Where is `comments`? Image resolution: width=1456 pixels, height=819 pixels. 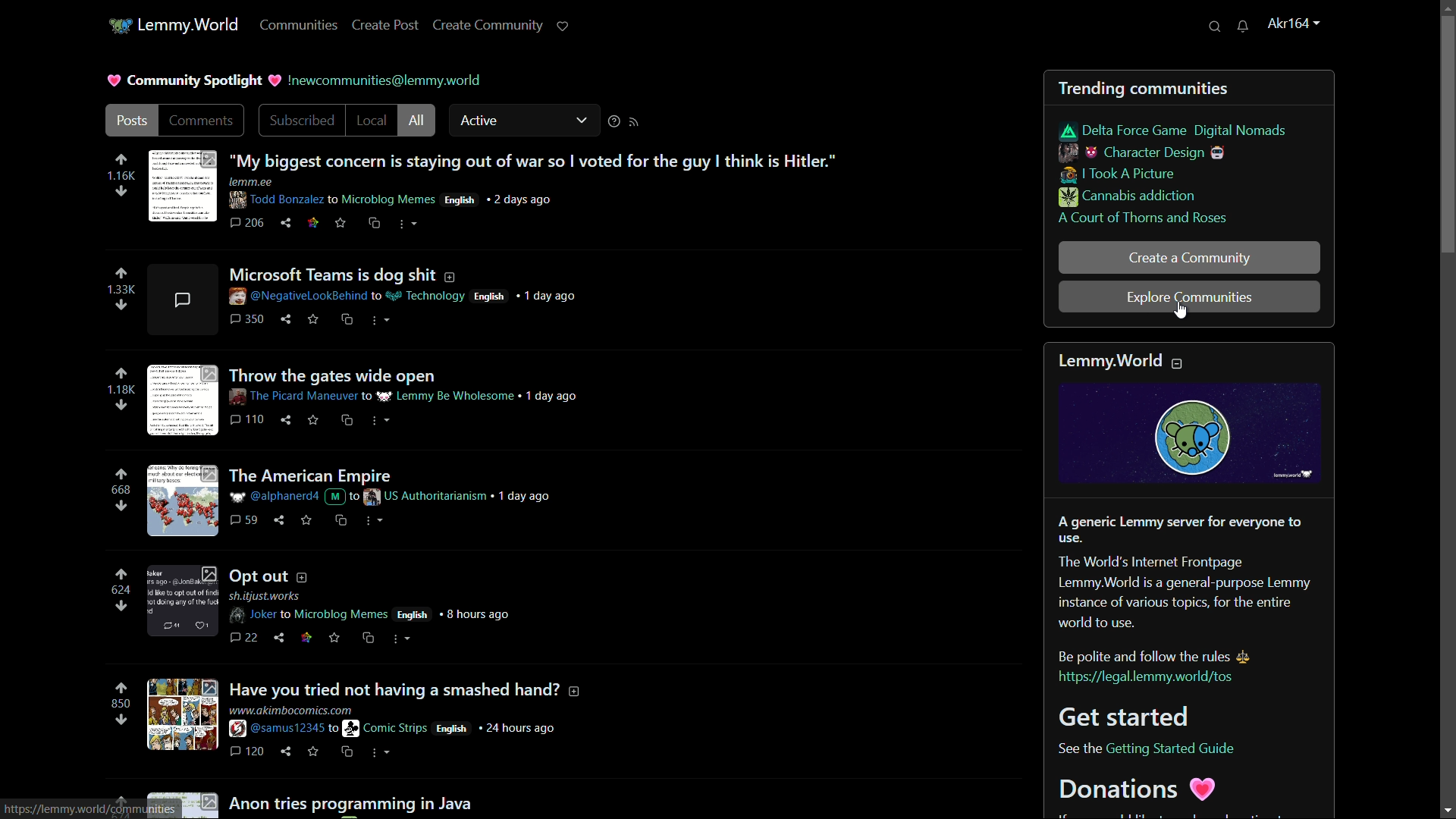
comments is located at coordinates (249, 520).